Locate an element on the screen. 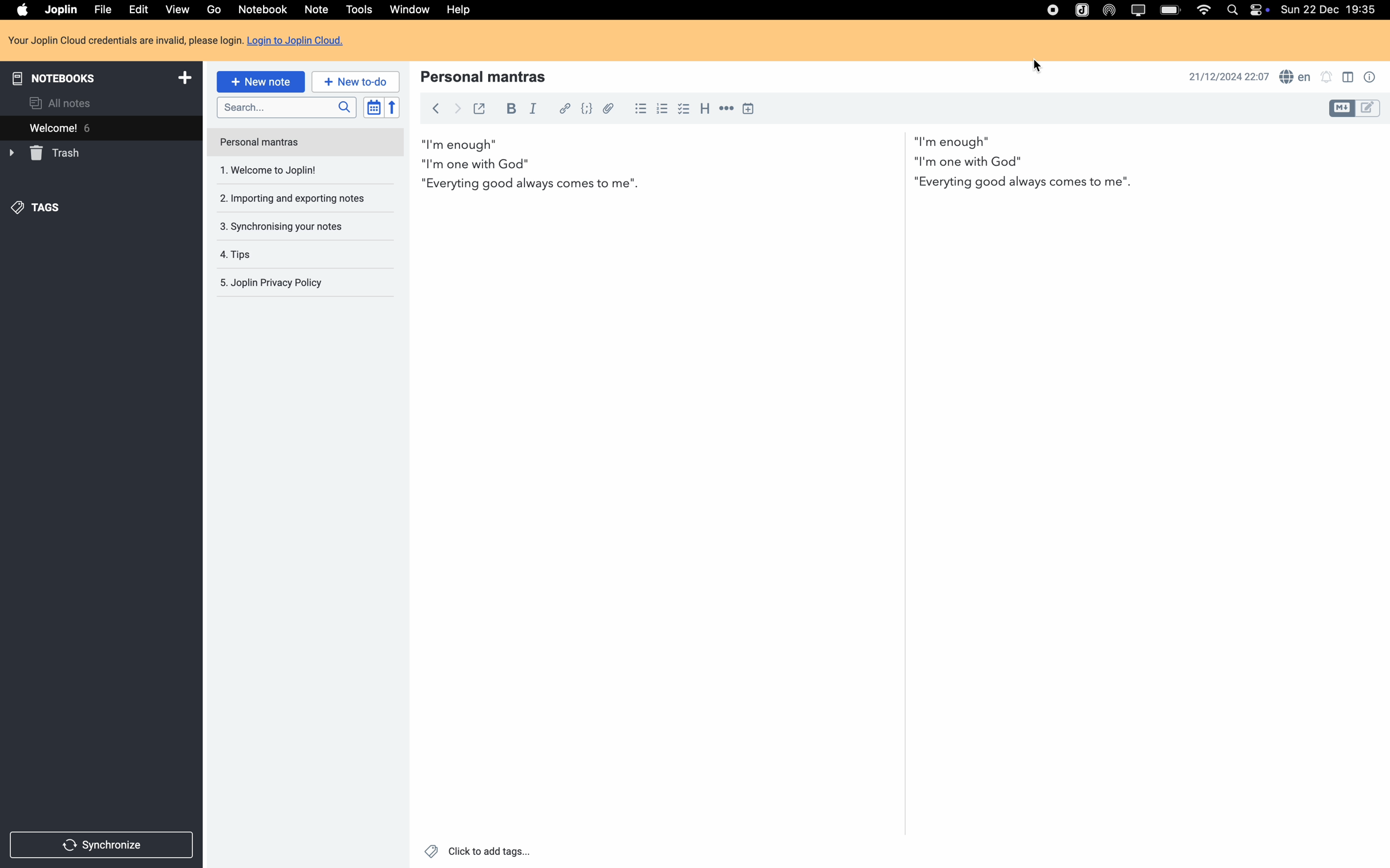 This screenshot has height=868, width=1390. screen is located at coordinates (1136, 9).